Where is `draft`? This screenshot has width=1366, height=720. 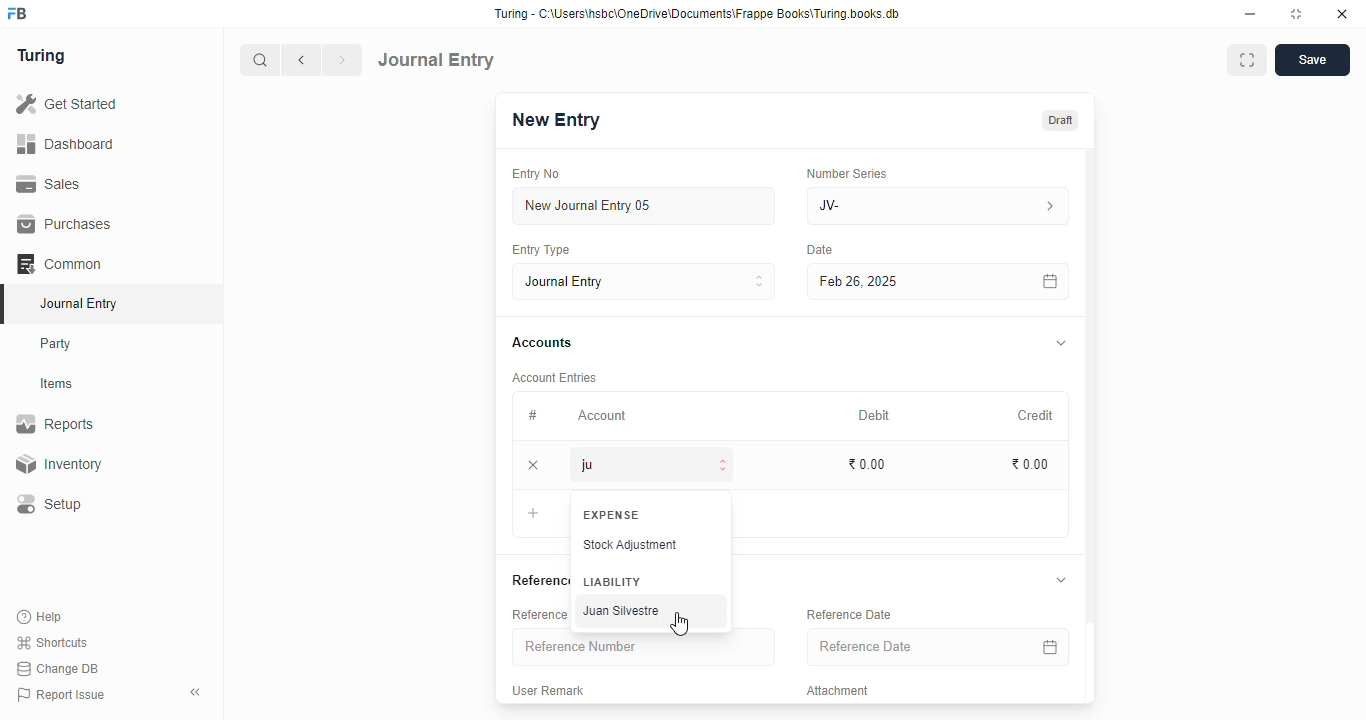
draft is located at coordinates (1059, 120).